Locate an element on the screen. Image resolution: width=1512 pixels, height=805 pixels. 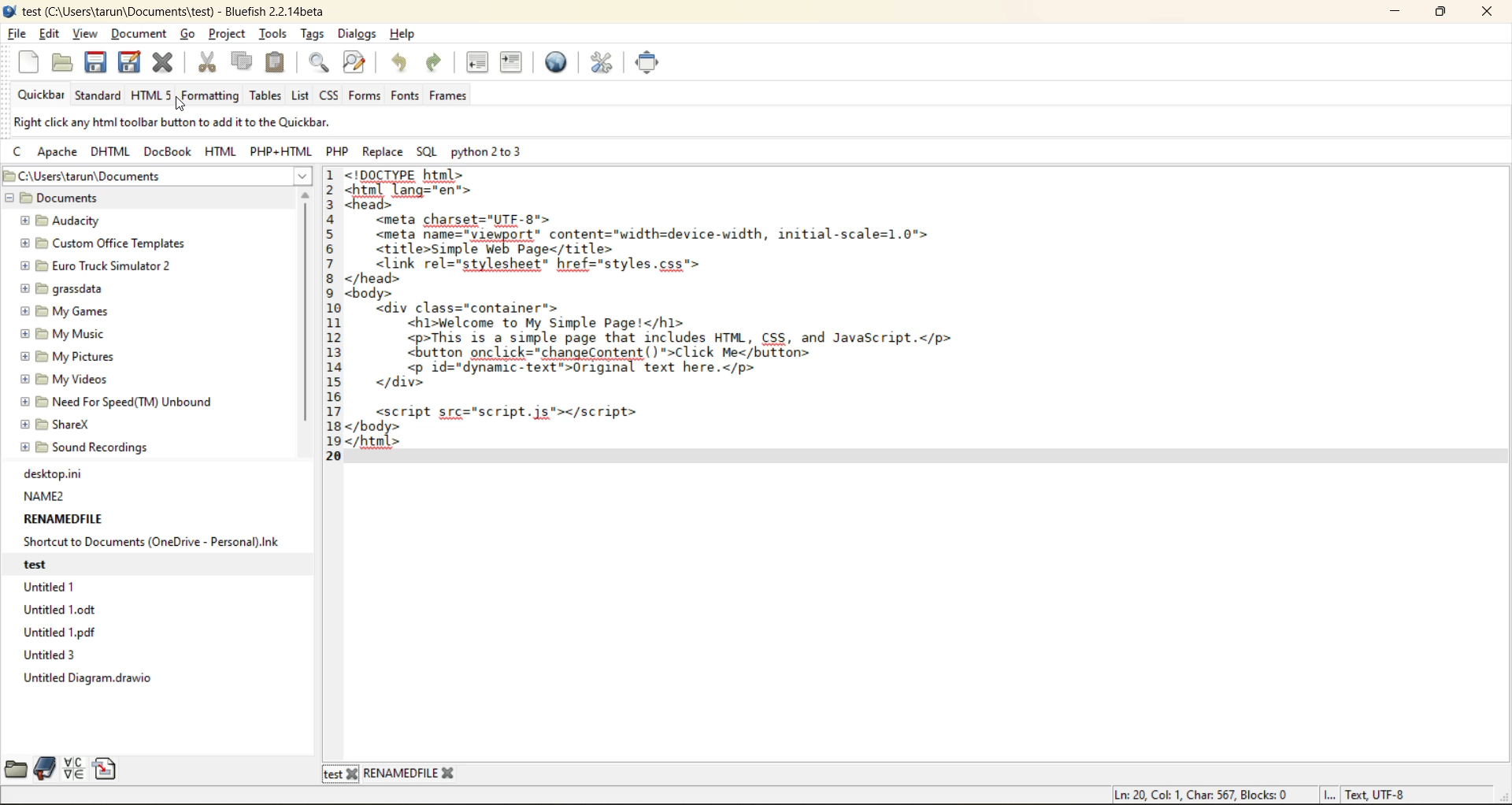
file name and app name is located at coordinates (184, 12).